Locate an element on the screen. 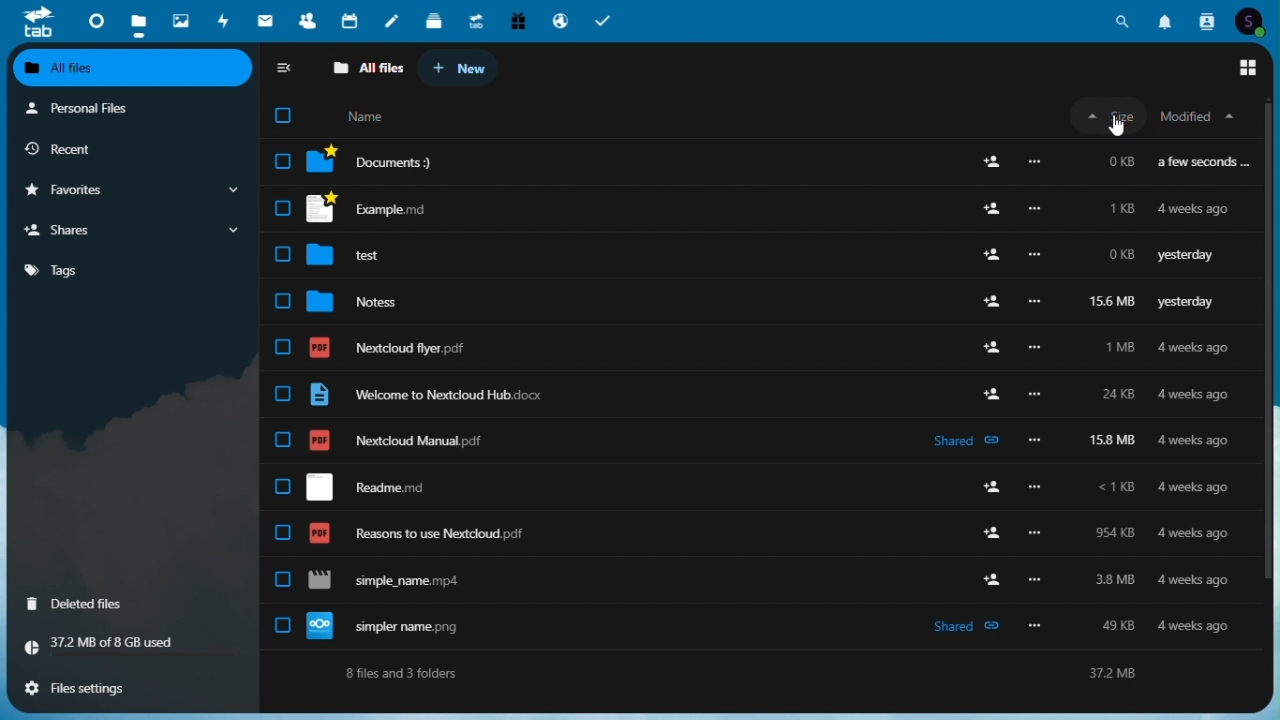 The width and height of the screenshot is (1280, 720). tasks is located at coordinates (604, 21).